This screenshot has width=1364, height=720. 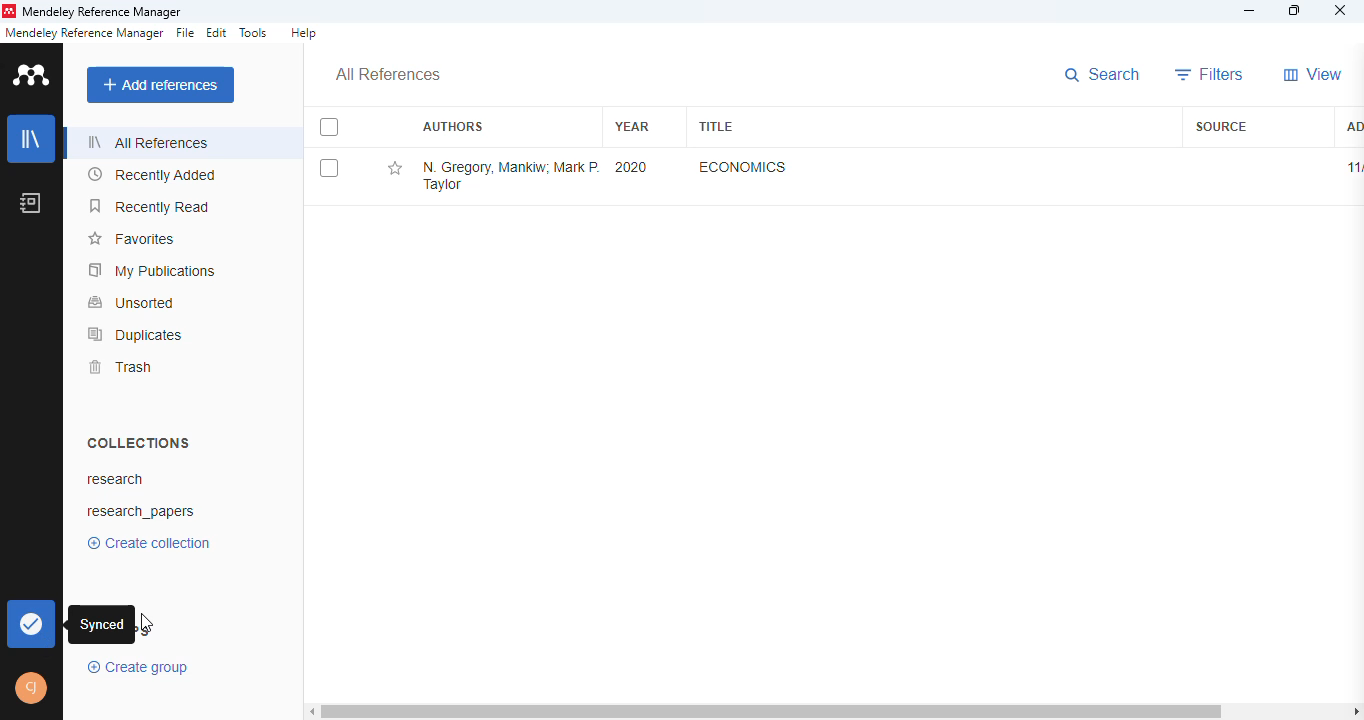 I want to click on profile, so click(x=32, y=689).